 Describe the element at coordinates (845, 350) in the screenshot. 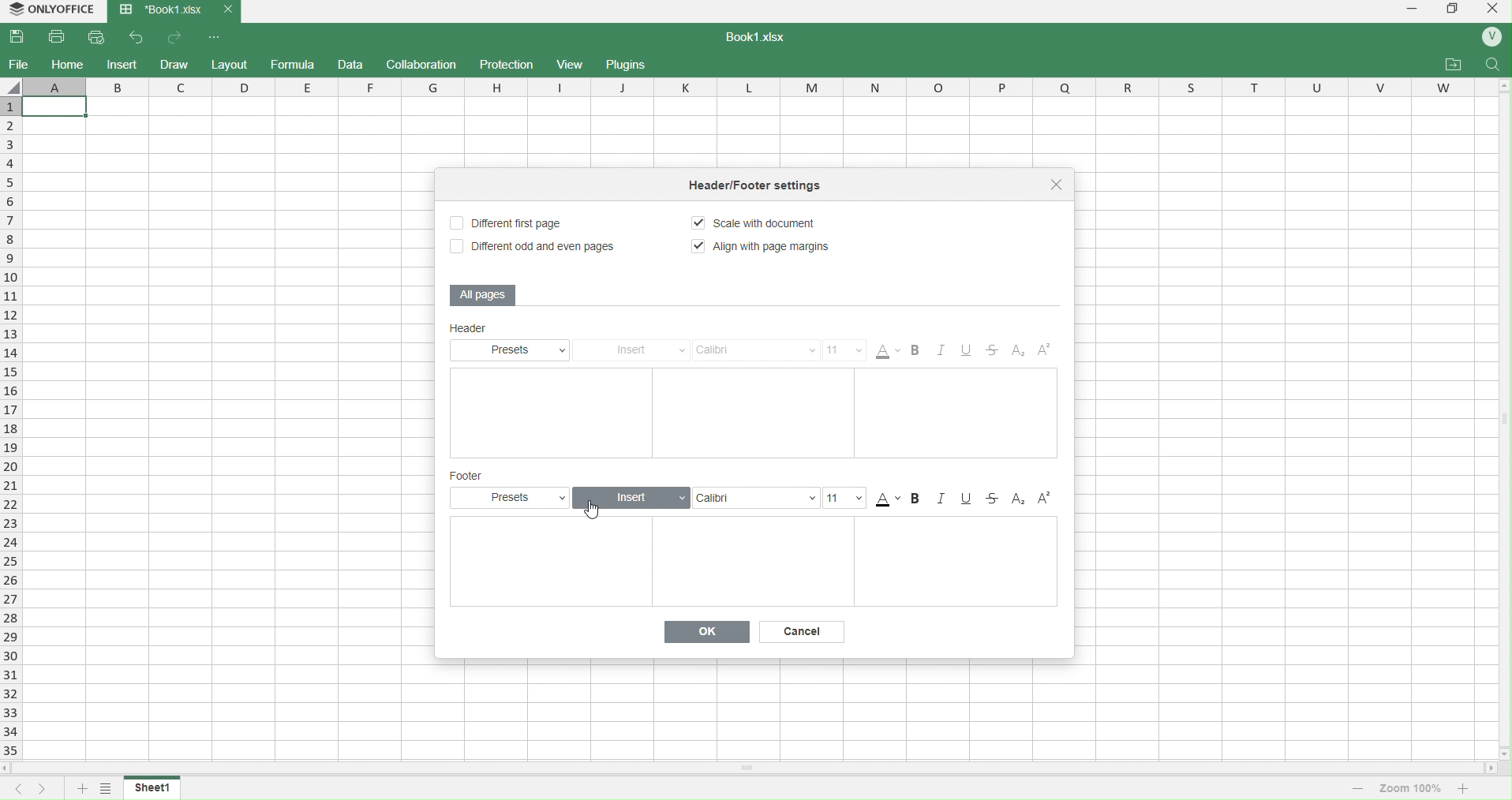

I see `Size` at that location.